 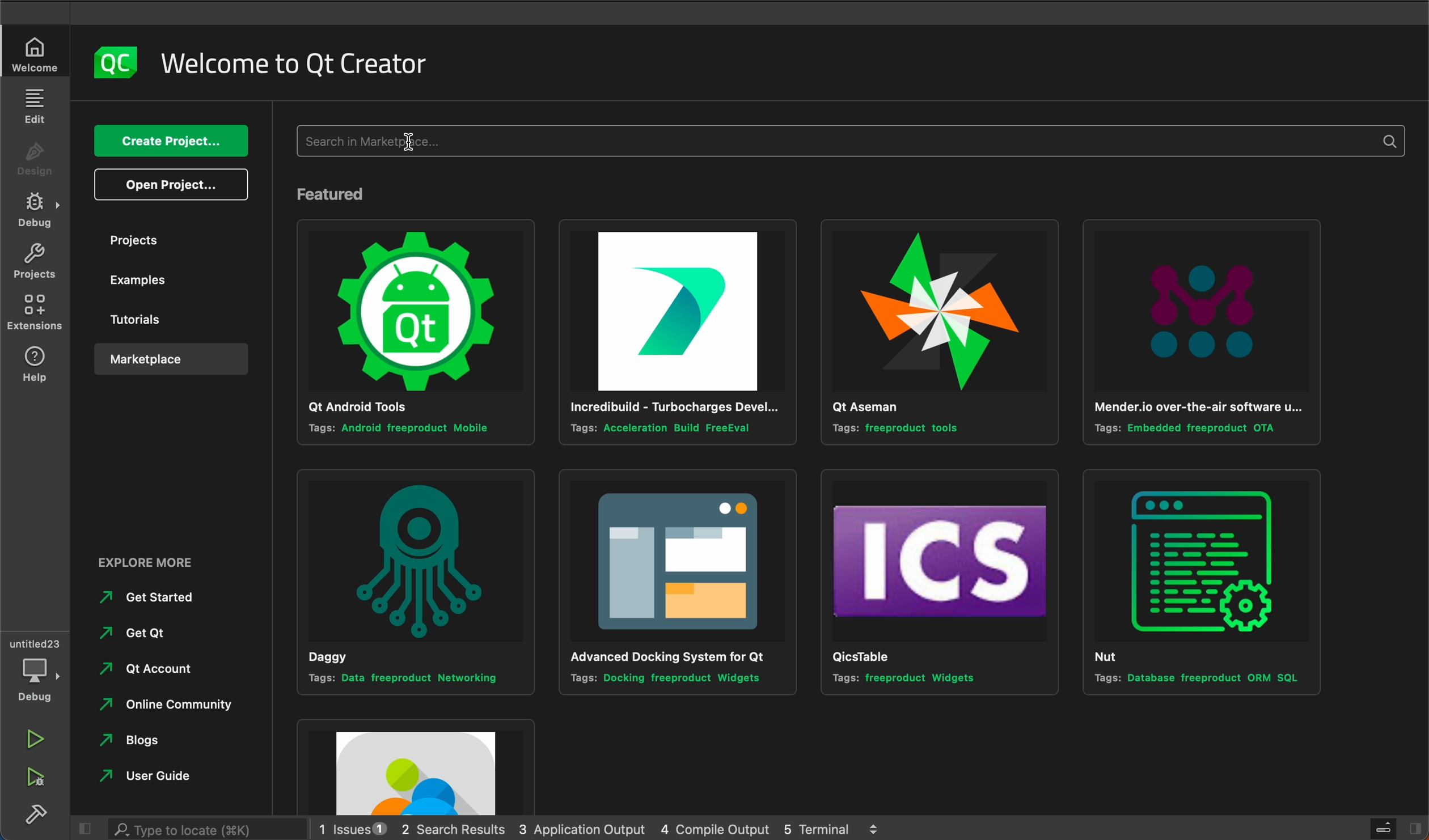 What do you see at coordinates (152, 597) in the screenshot?
I see `` at bounding box center [152, 597].